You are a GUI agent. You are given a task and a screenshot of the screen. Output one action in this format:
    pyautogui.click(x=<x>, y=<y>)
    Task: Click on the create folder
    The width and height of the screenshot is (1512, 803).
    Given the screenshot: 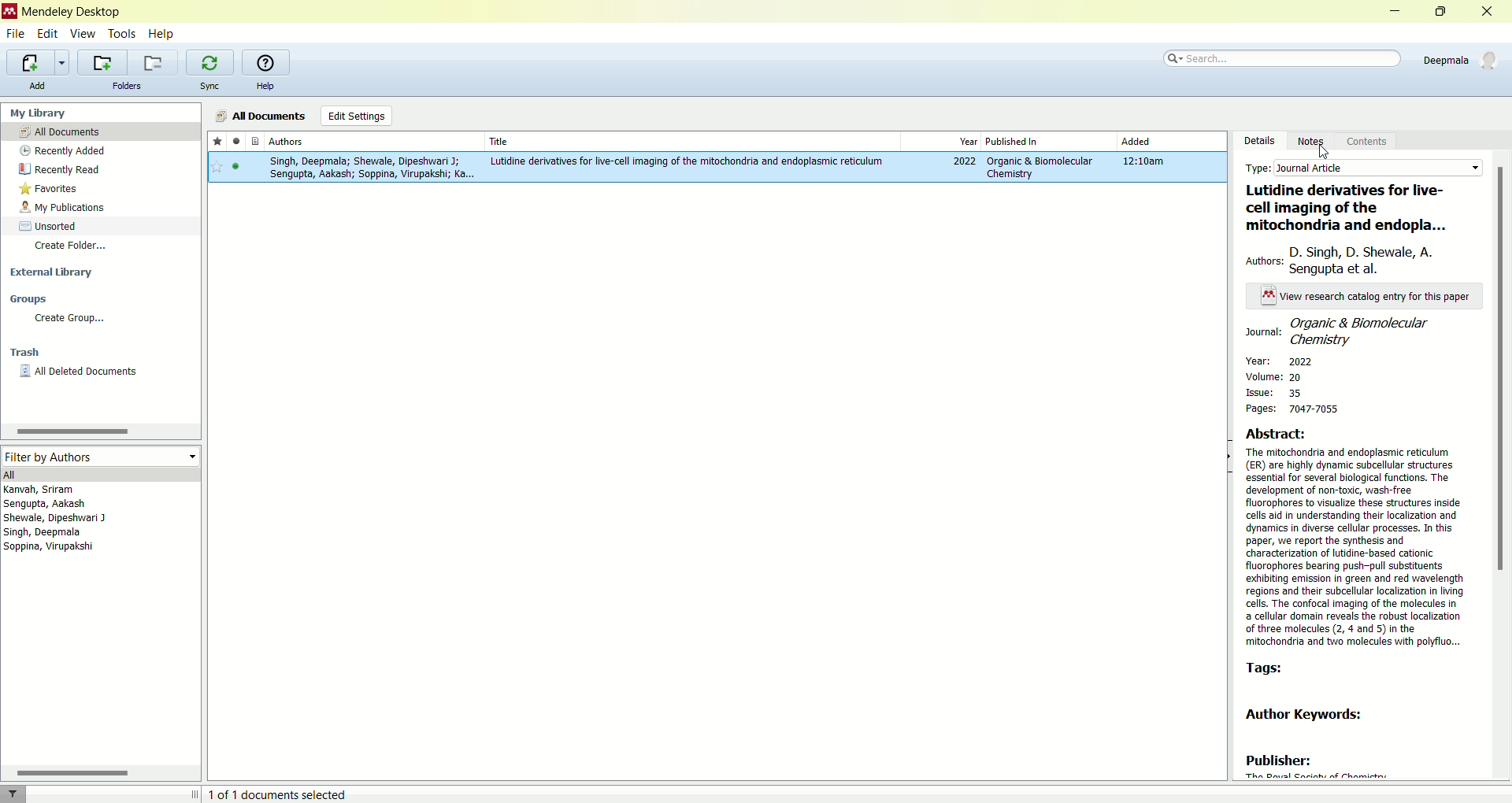 What is the action you would take?
    pyautogui.click(x=101, y=247)
    